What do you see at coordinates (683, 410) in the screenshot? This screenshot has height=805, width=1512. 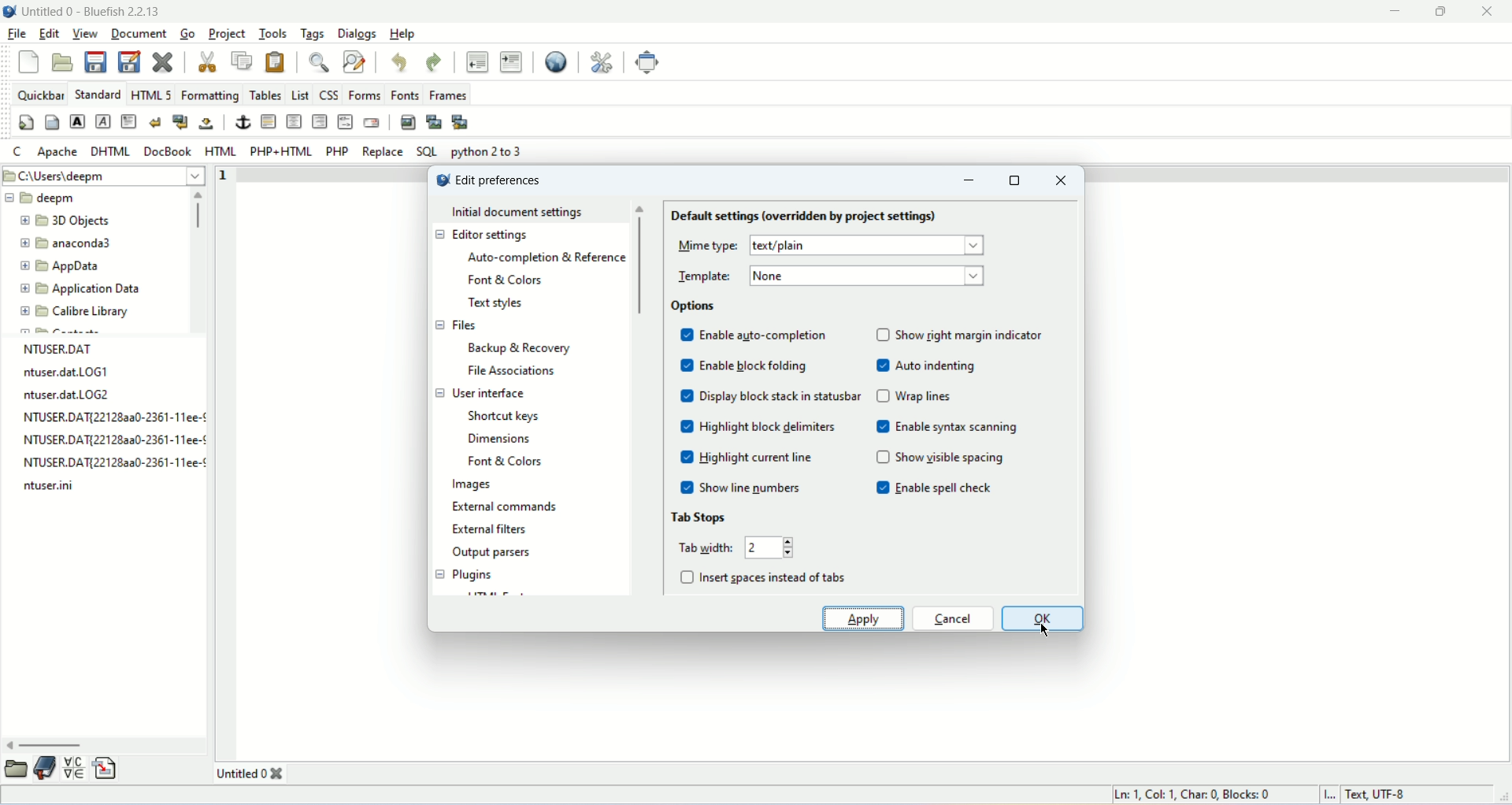 I see `check box` at bounding box center [683, 410].